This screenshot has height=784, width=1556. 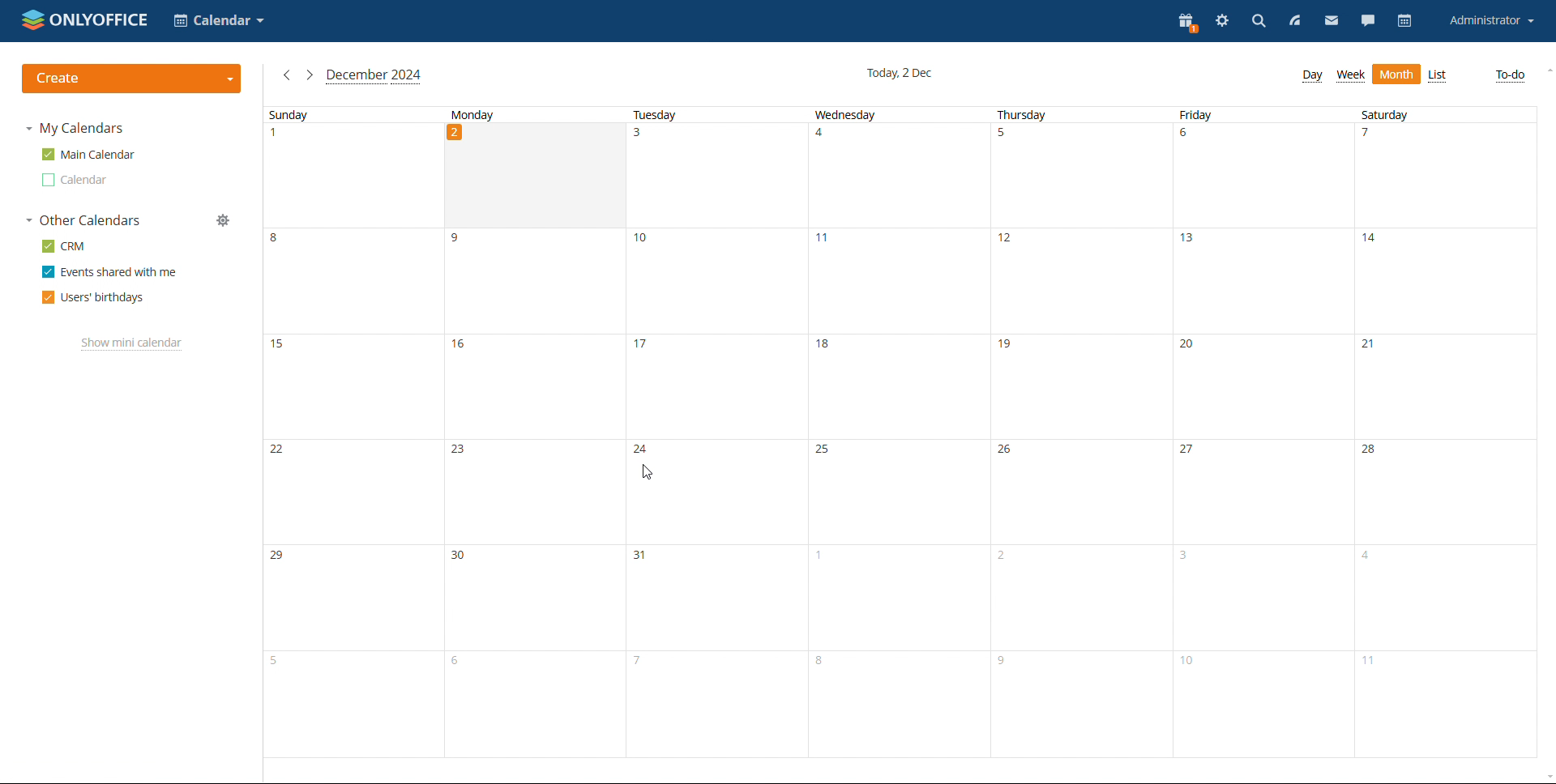 I want to click on next month, so click(x=310, y=76).